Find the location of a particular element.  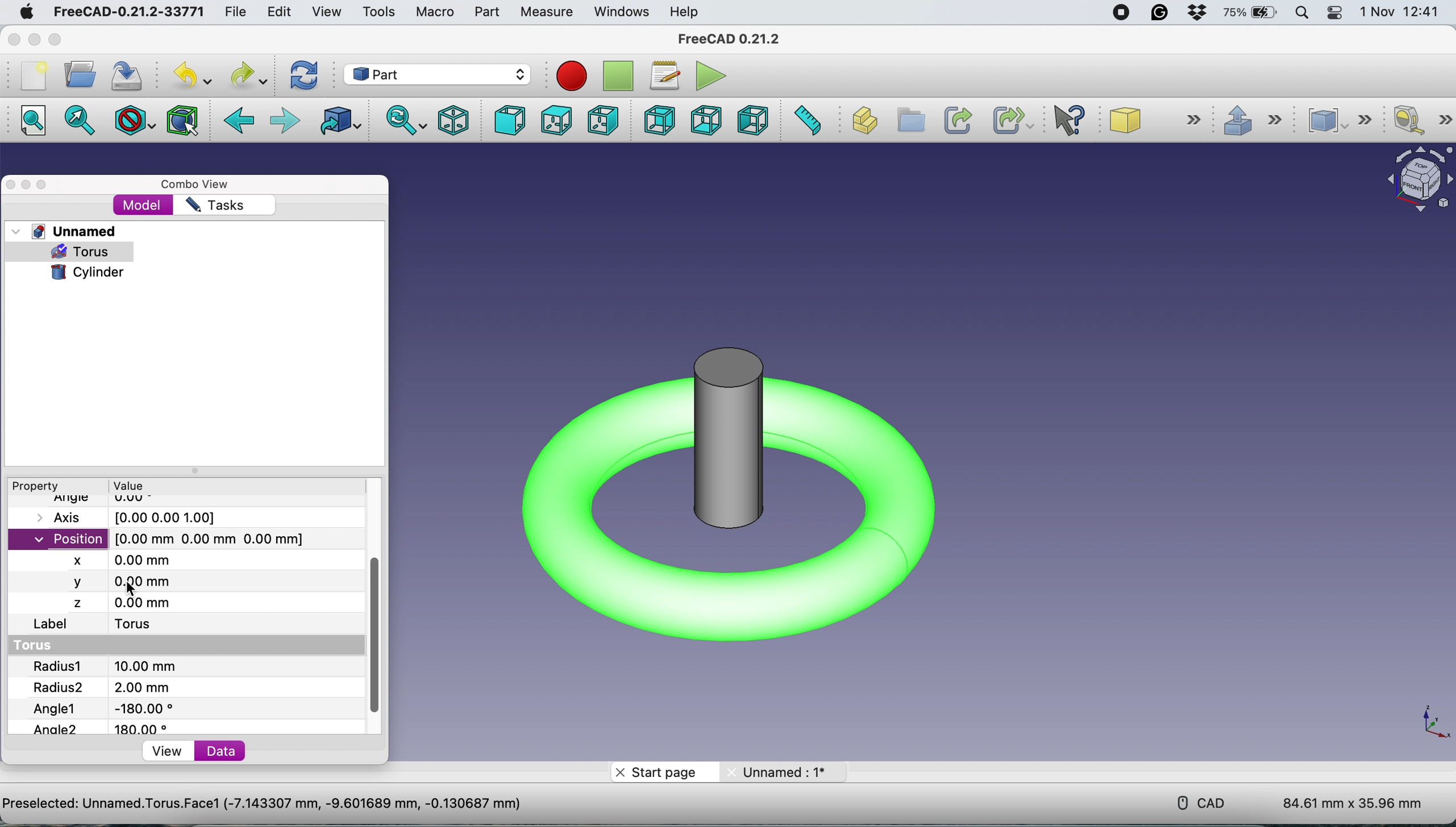

view is located at coordinates (168, 751).